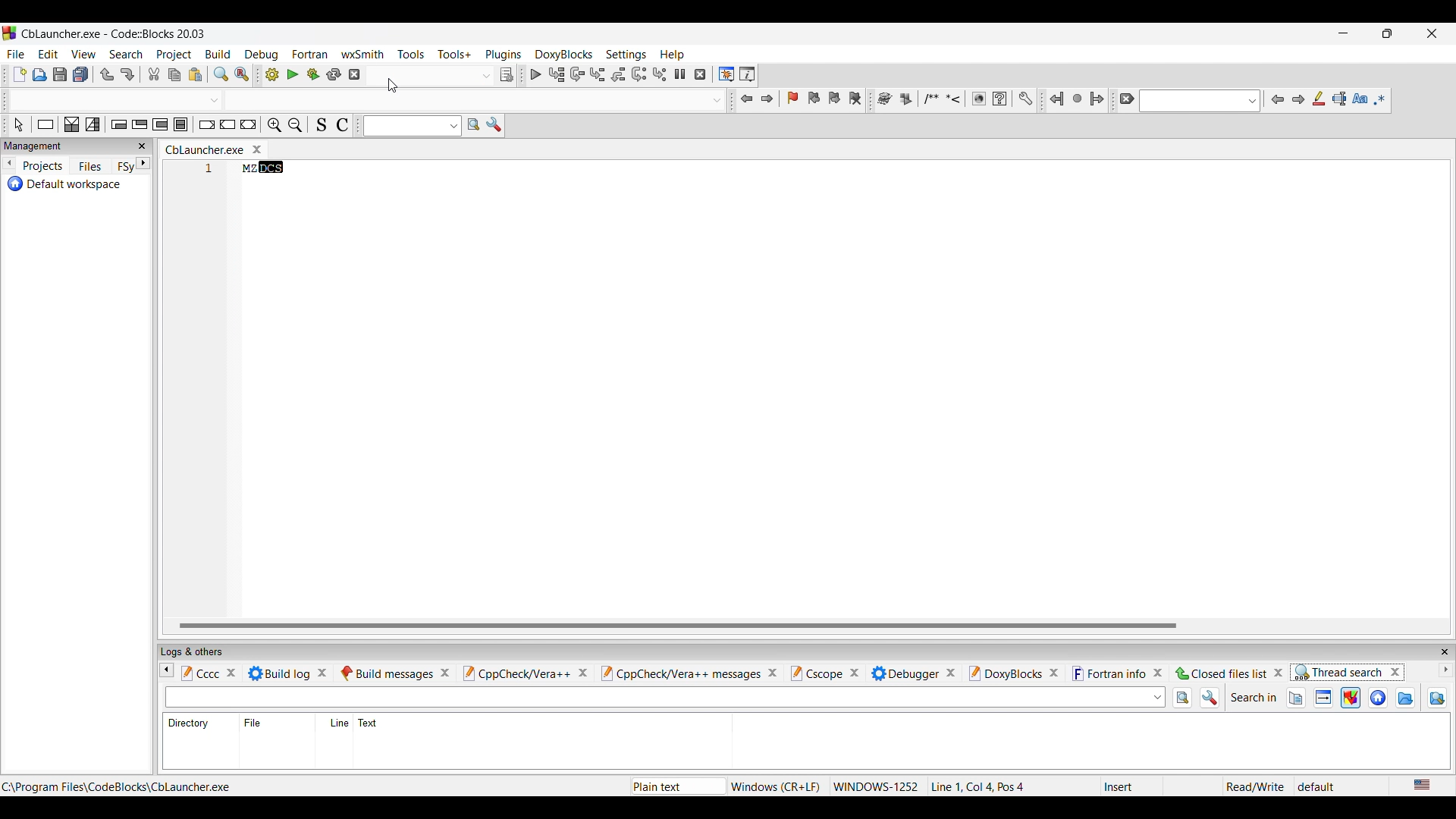  What do you see at coordinates (767, 99) in the screenshot?
I see `Jump forward` at bounding box center [767, 99].